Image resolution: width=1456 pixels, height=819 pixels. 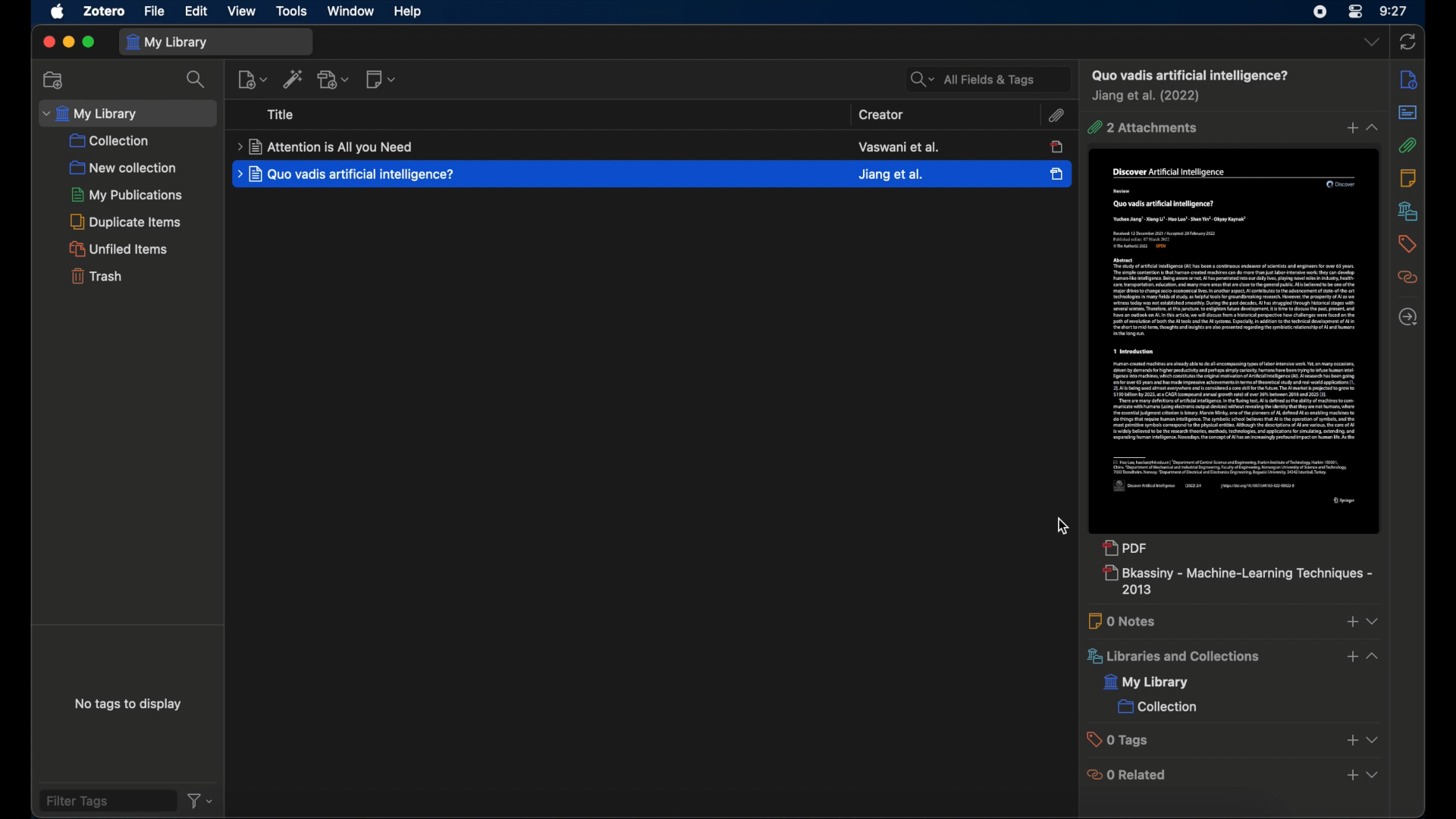 What do you see at coordinates (345, 175) in the screenshot?
I see `item title highlighted` at bounding box center [345, 175].